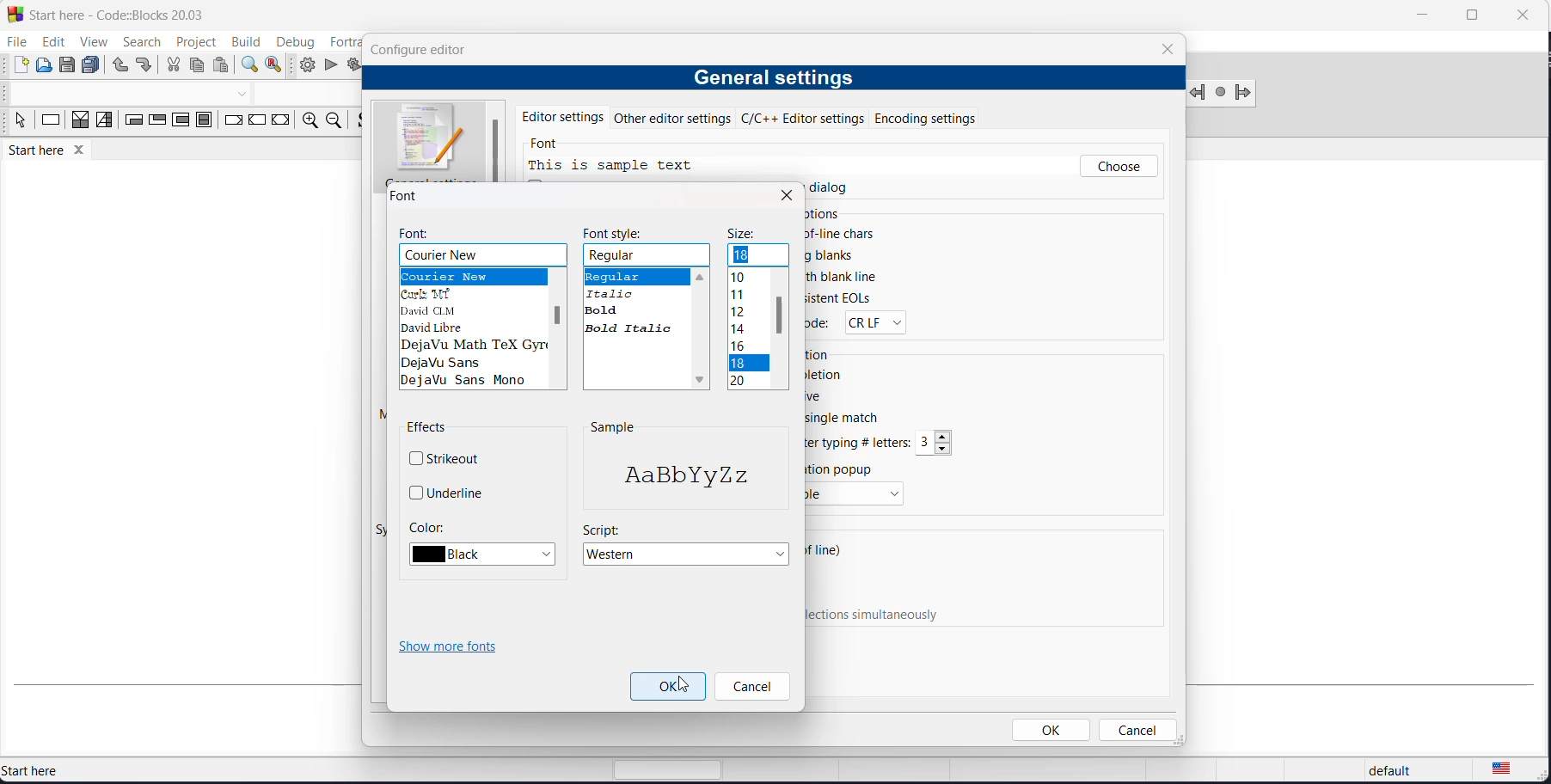 The height and width of the screenshot is (784, 1551). What do you see at coordinates (701, 275) in the screenshot?
I see `move upwards` at bounding box center [701, 275].